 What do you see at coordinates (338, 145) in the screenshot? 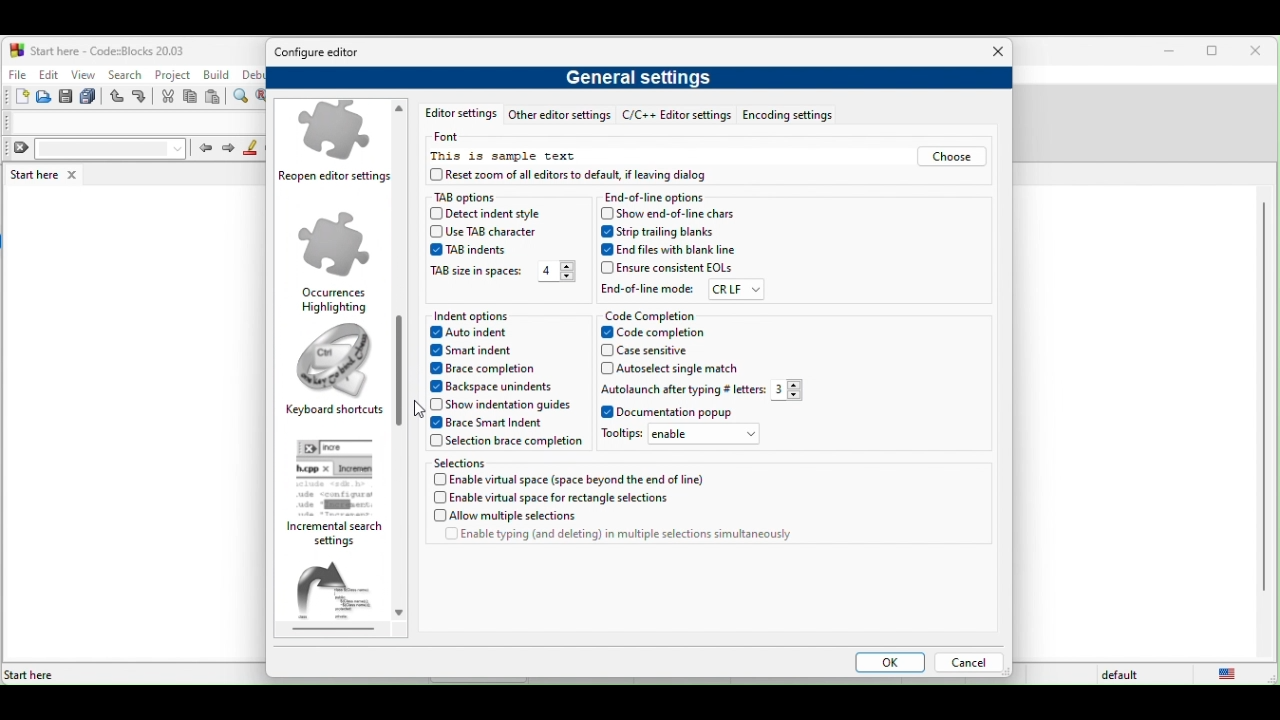
I see `reopen editor settings` at bounding box center [338, 145].